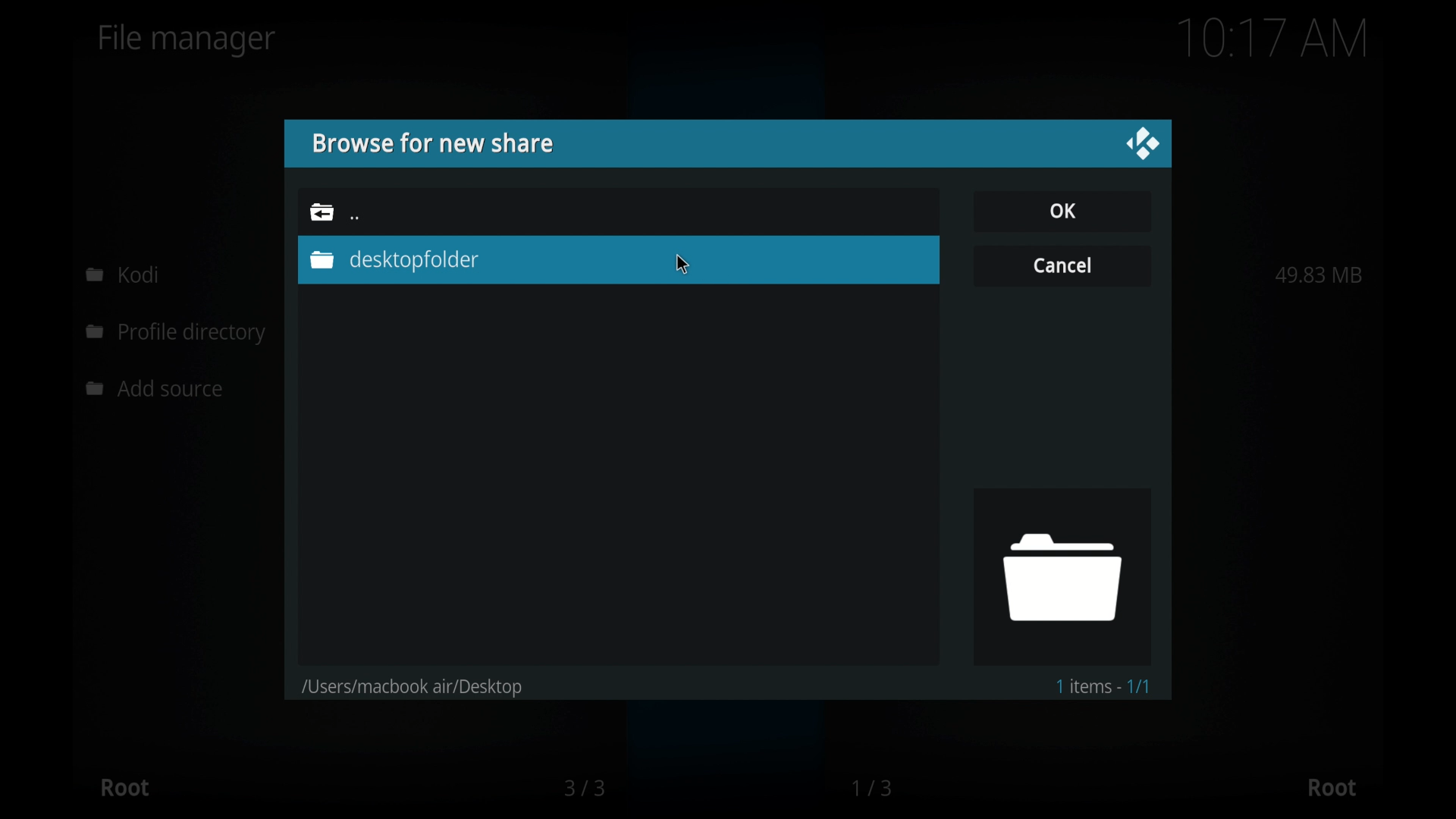 This screenshot has width=1456, height=819. What do you see at coordinates (431, 143) in the screenshot?
I see `browse for new share` at bounding box center [431, 143].